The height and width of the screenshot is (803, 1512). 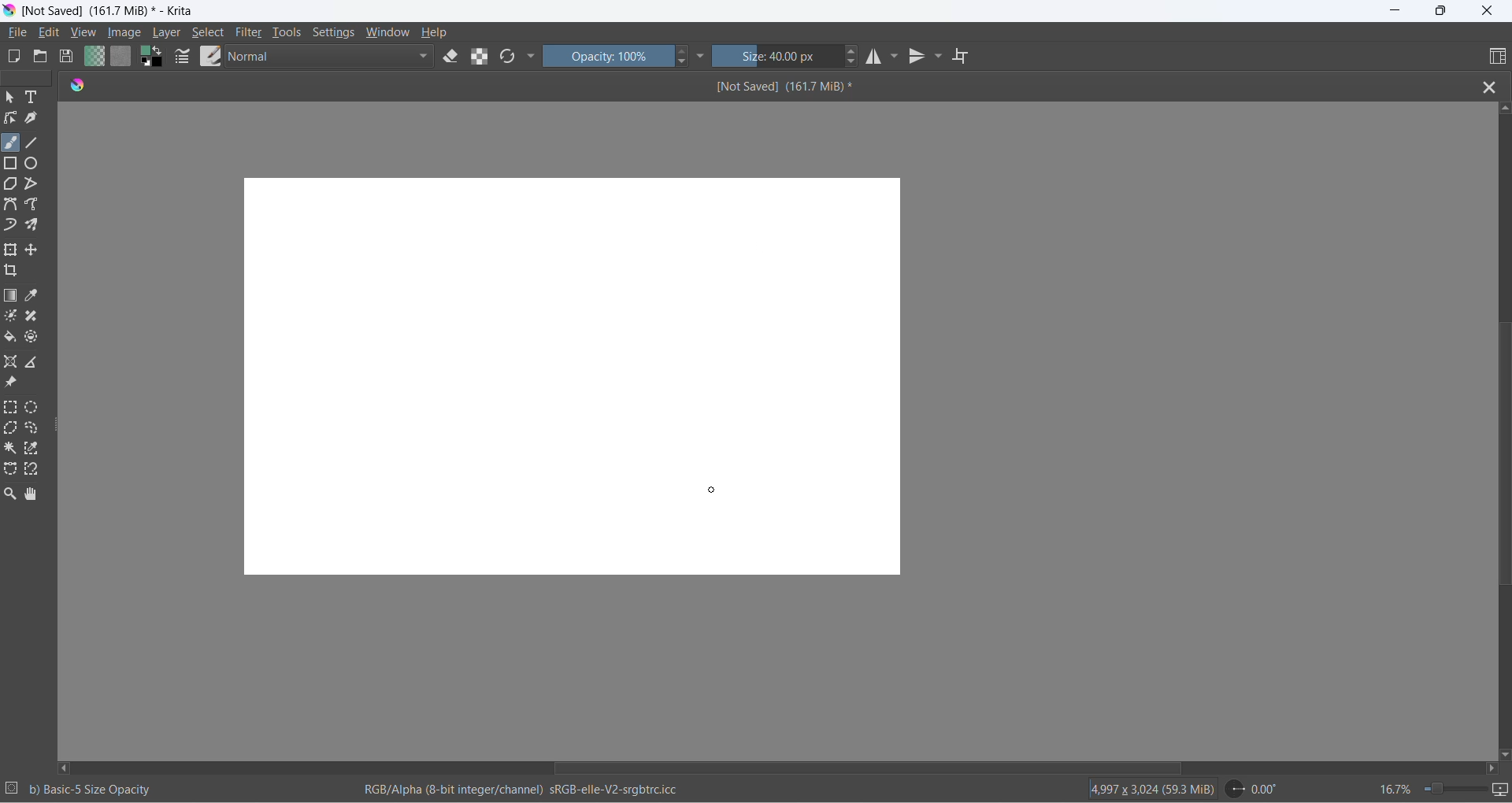 I want to click on Bezier curve tool , so click(x=13, y=206).